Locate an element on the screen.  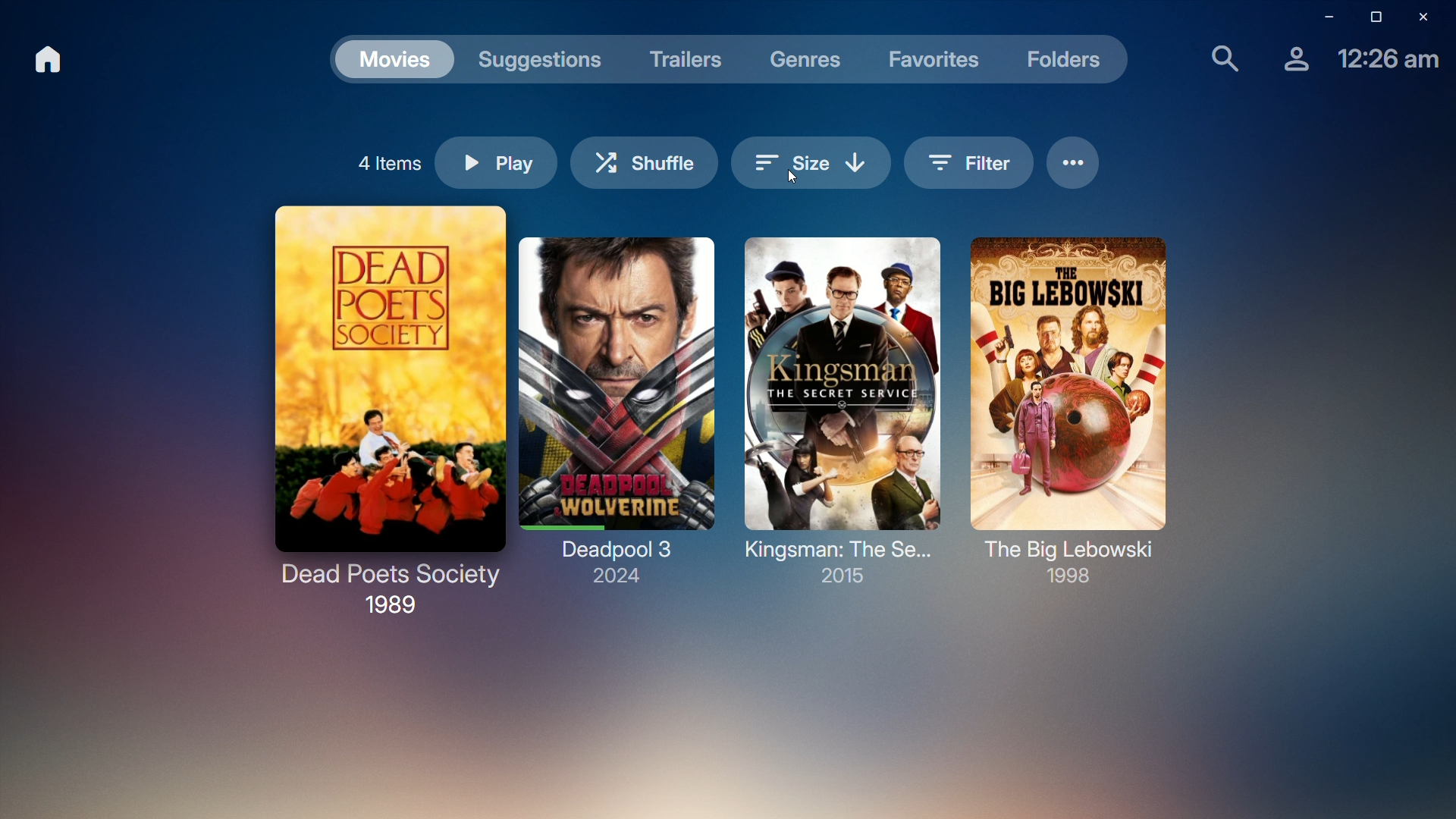
Minimize is located at coordinates (1320, 17).